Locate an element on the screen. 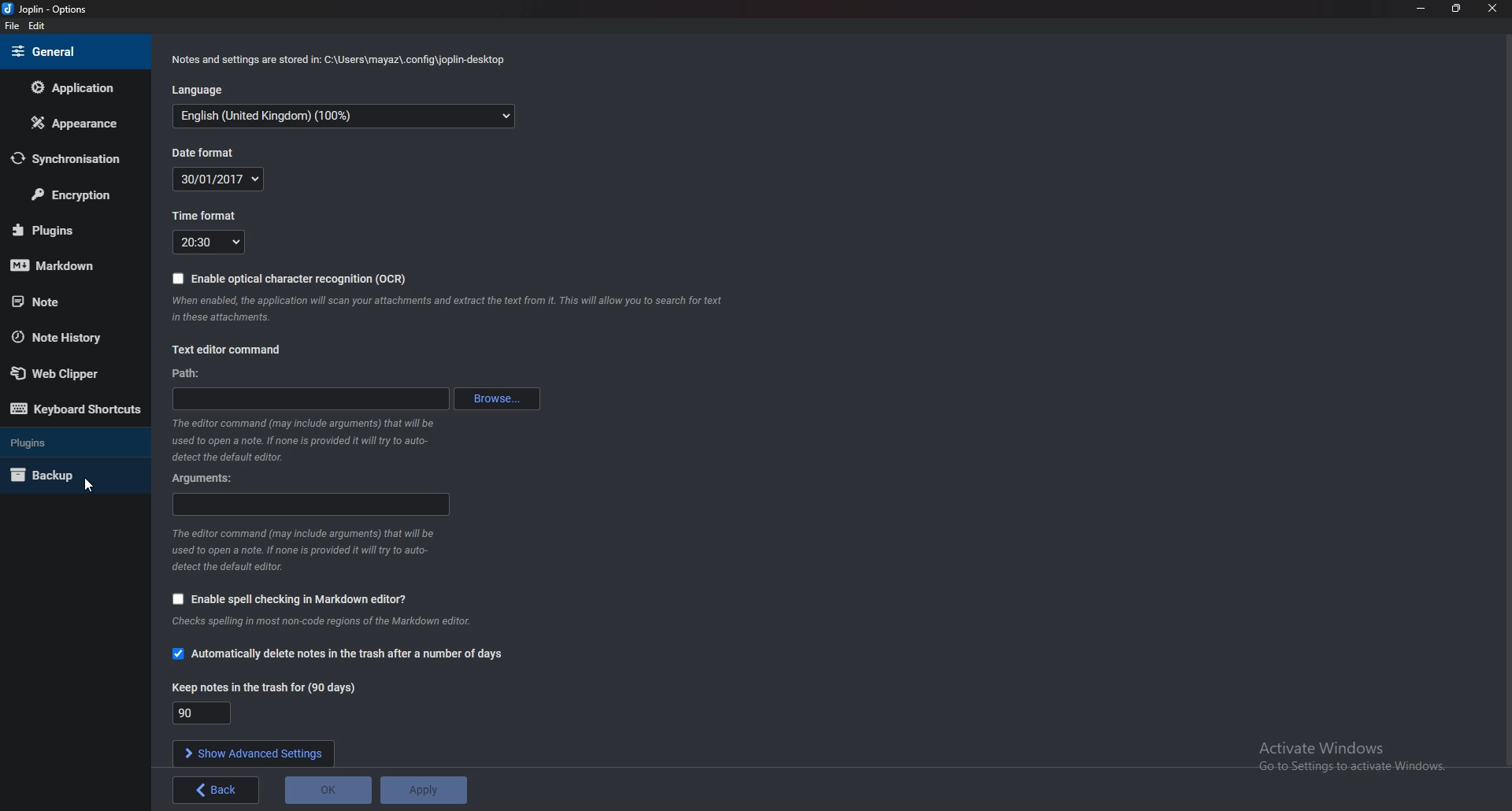 The width and height of the screenshot is (1512, 811). Info is located at coordinates (453, 309).